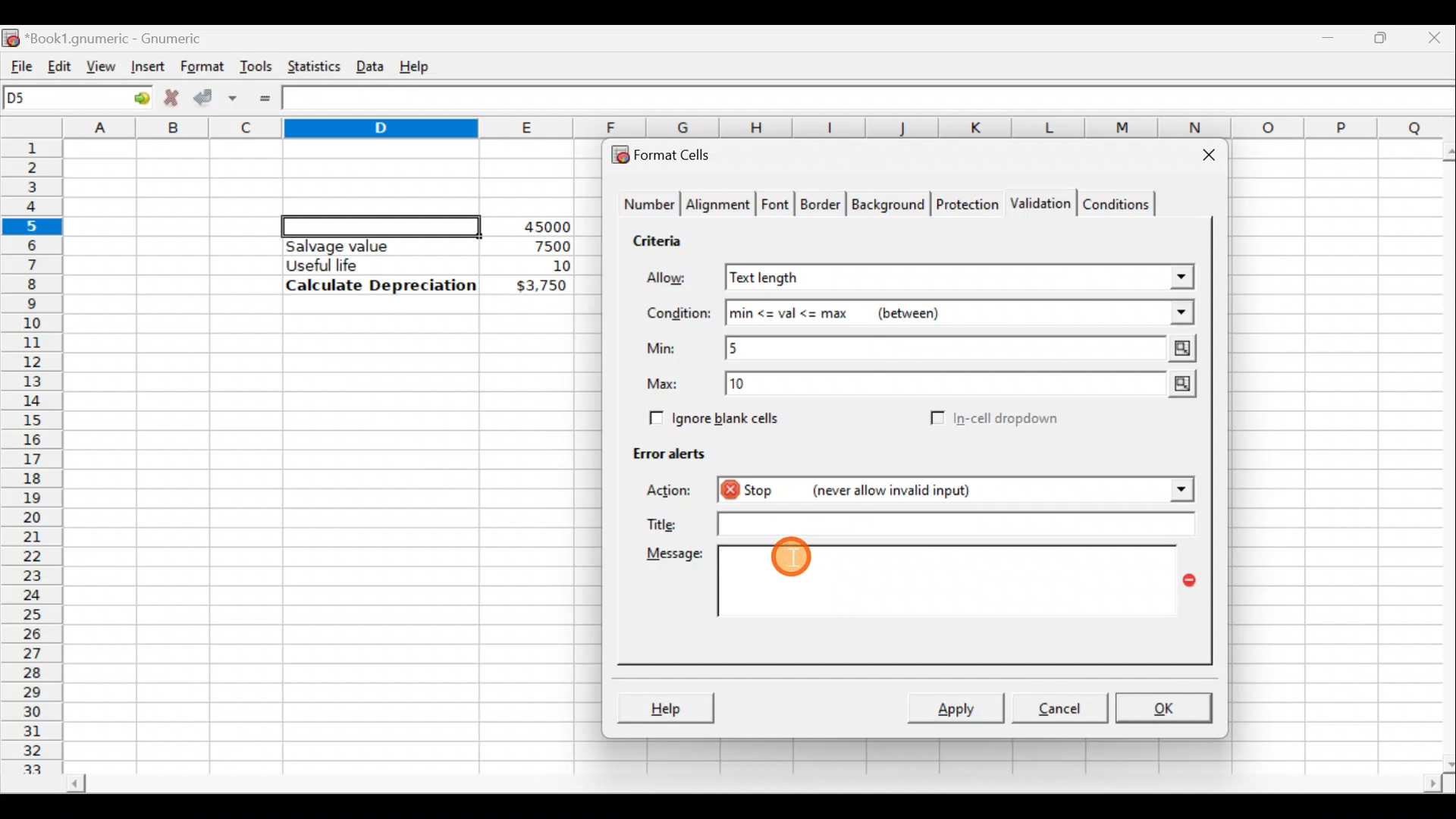  What do you see at coordinates (381, 284) in the screenshot?
I see `Calculate Depreciation` at bounding box center [381, 284].